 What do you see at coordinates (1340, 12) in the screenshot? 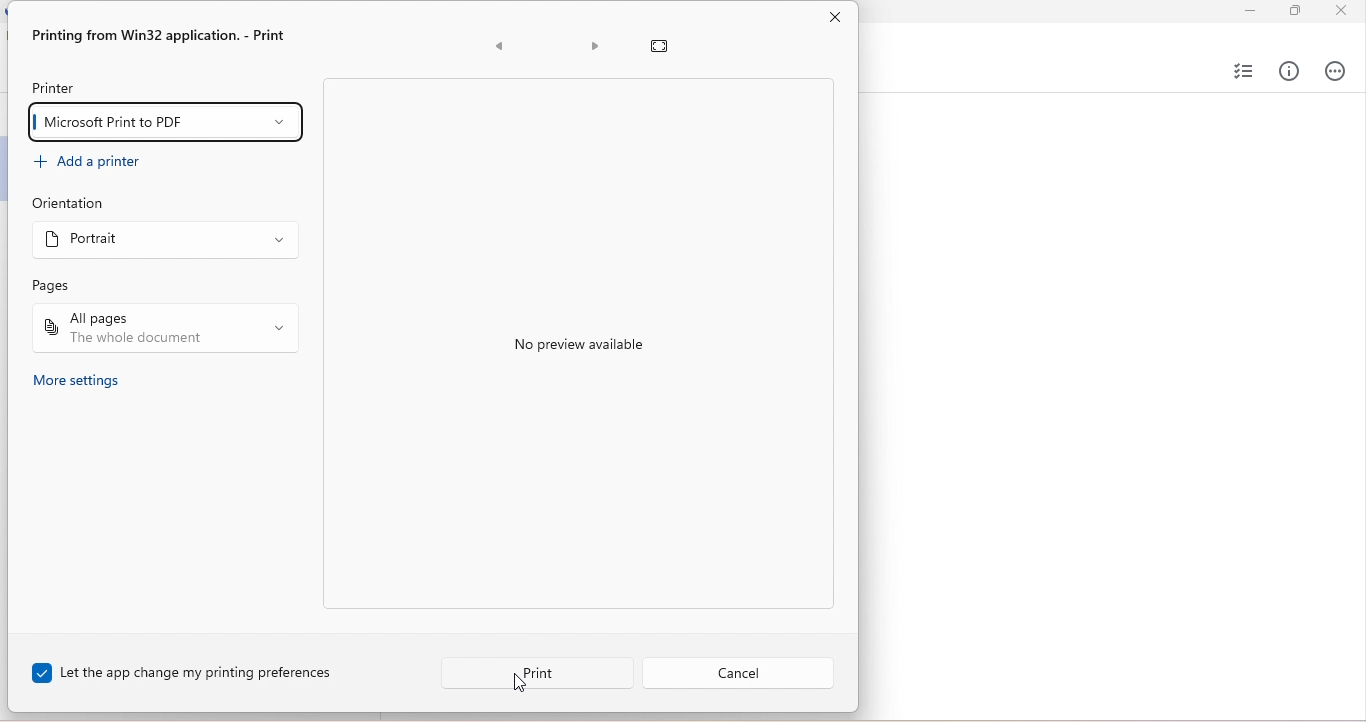
I see `close` at bounding box center [1340, 12].